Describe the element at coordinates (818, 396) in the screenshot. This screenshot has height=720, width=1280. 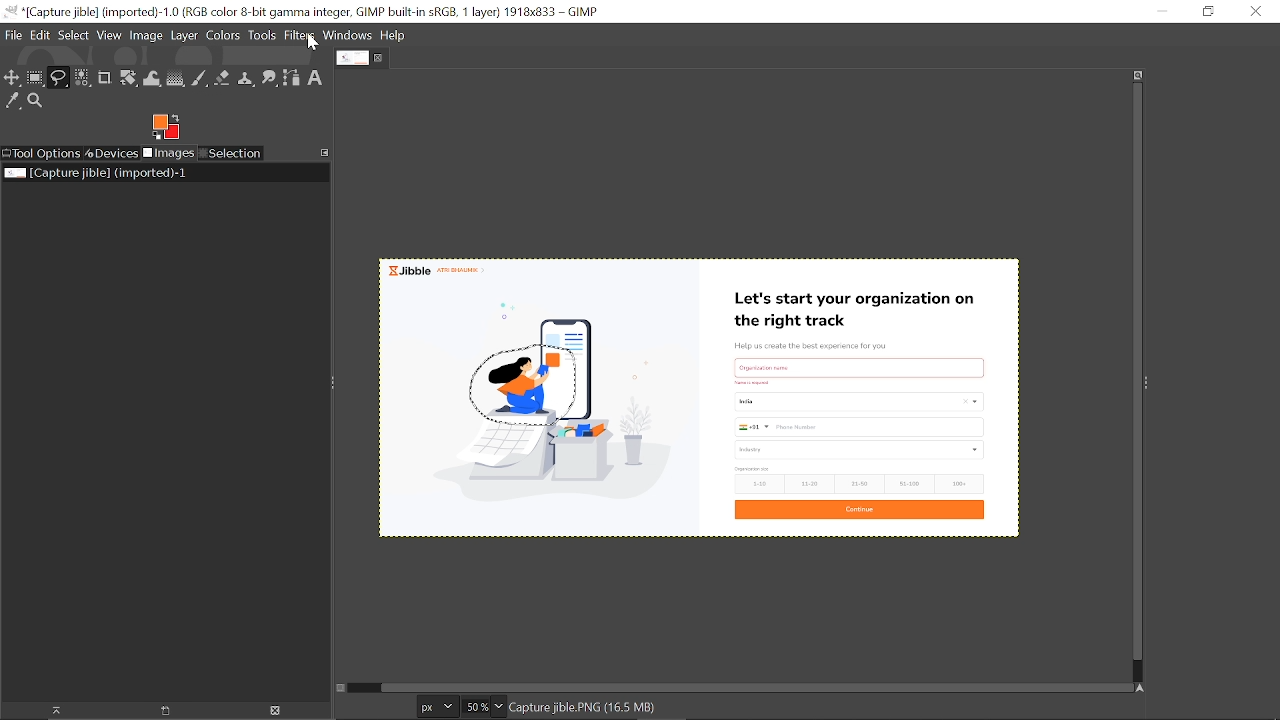
I see `Current image` at that location.